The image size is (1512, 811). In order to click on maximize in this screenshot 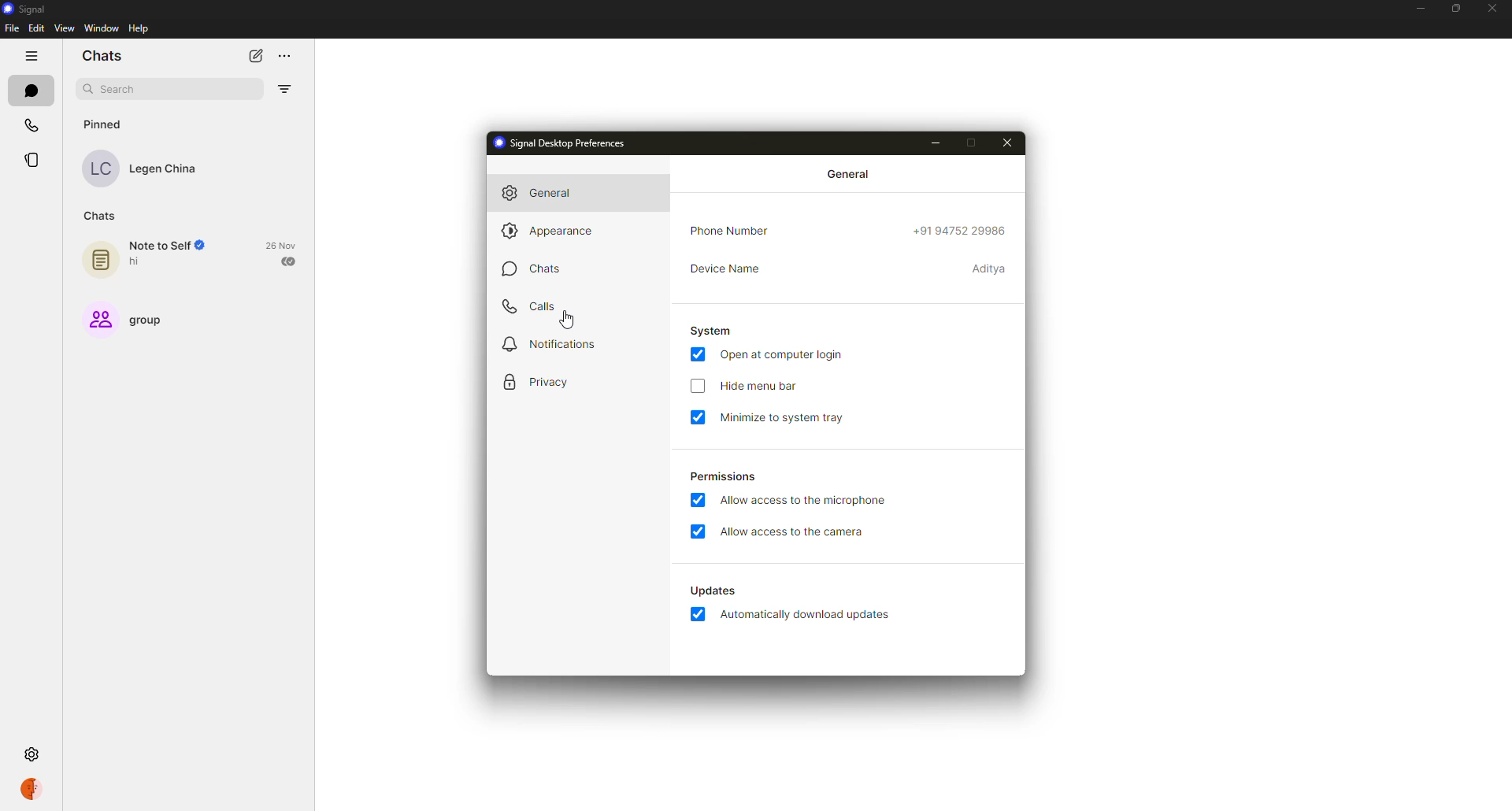, I will do `click(1451, 9)`.